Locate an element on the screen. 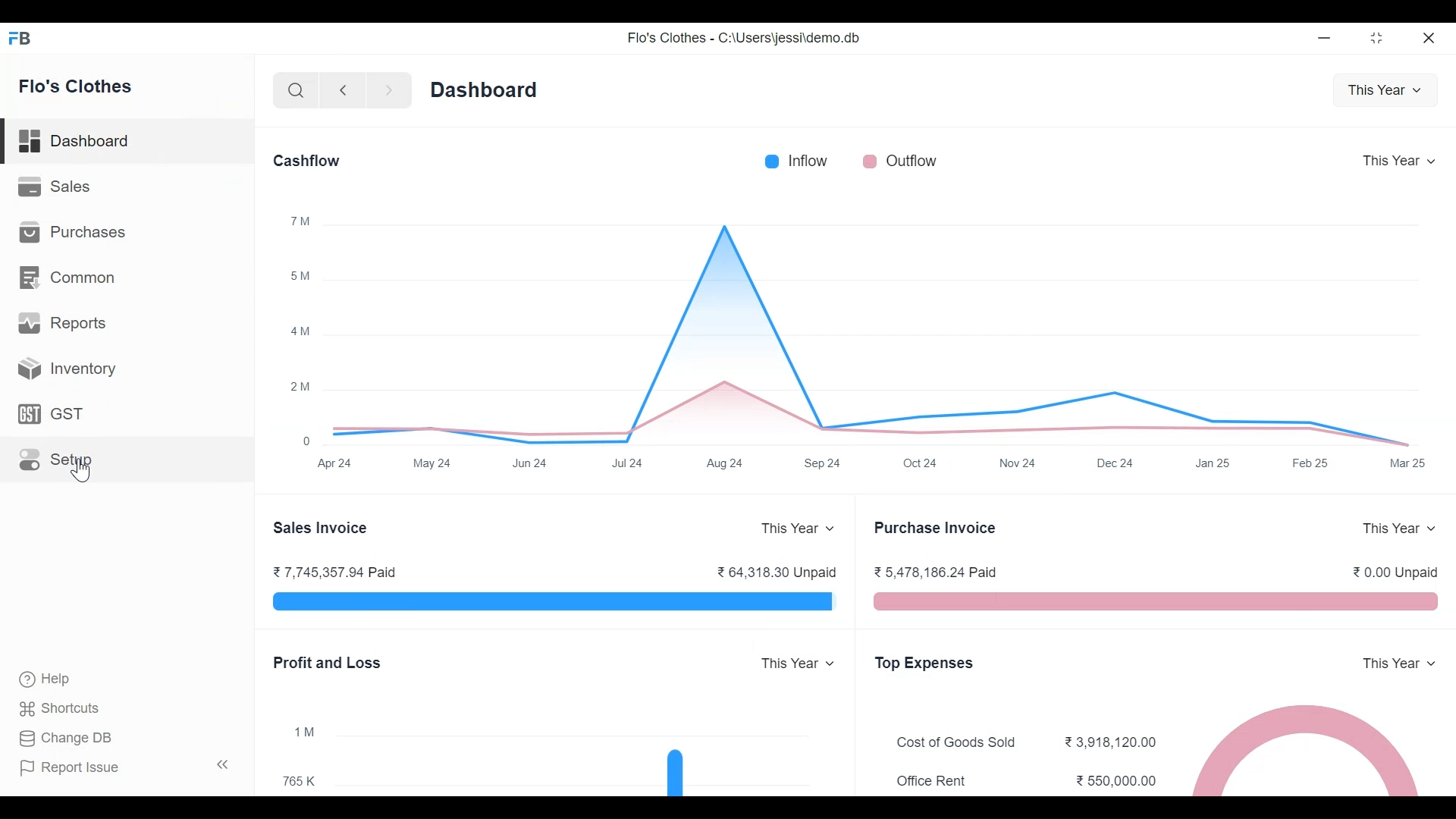 Image resolution: width=1456 pixels, height=819 pixels. Change DB is located at coordinates (74, 739).